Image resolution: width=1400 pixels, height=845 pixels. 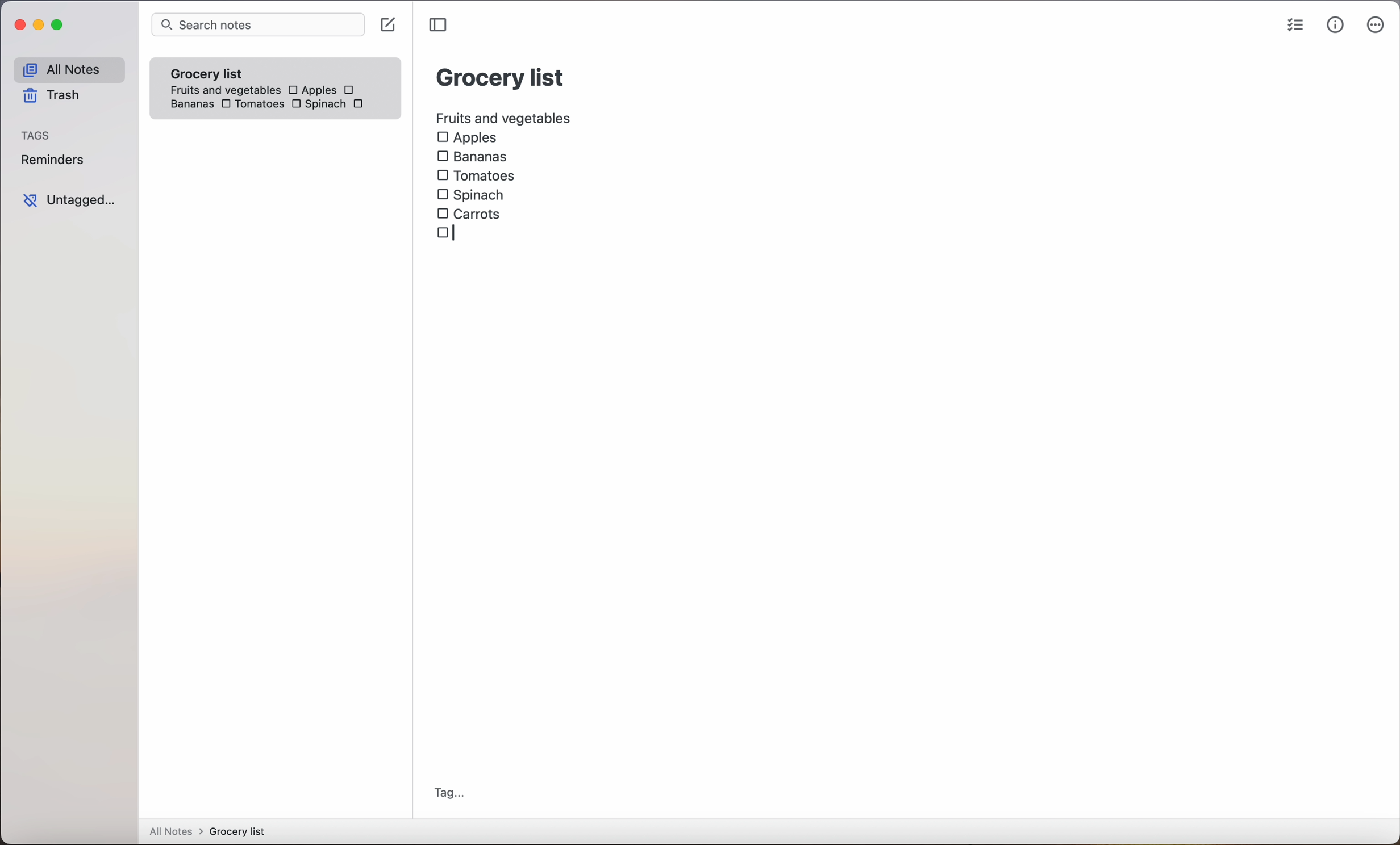 What do you see at coordinates (472, 195) in the screenshot?
I see `Spinach checkbox` at bounding box center [472, 195].